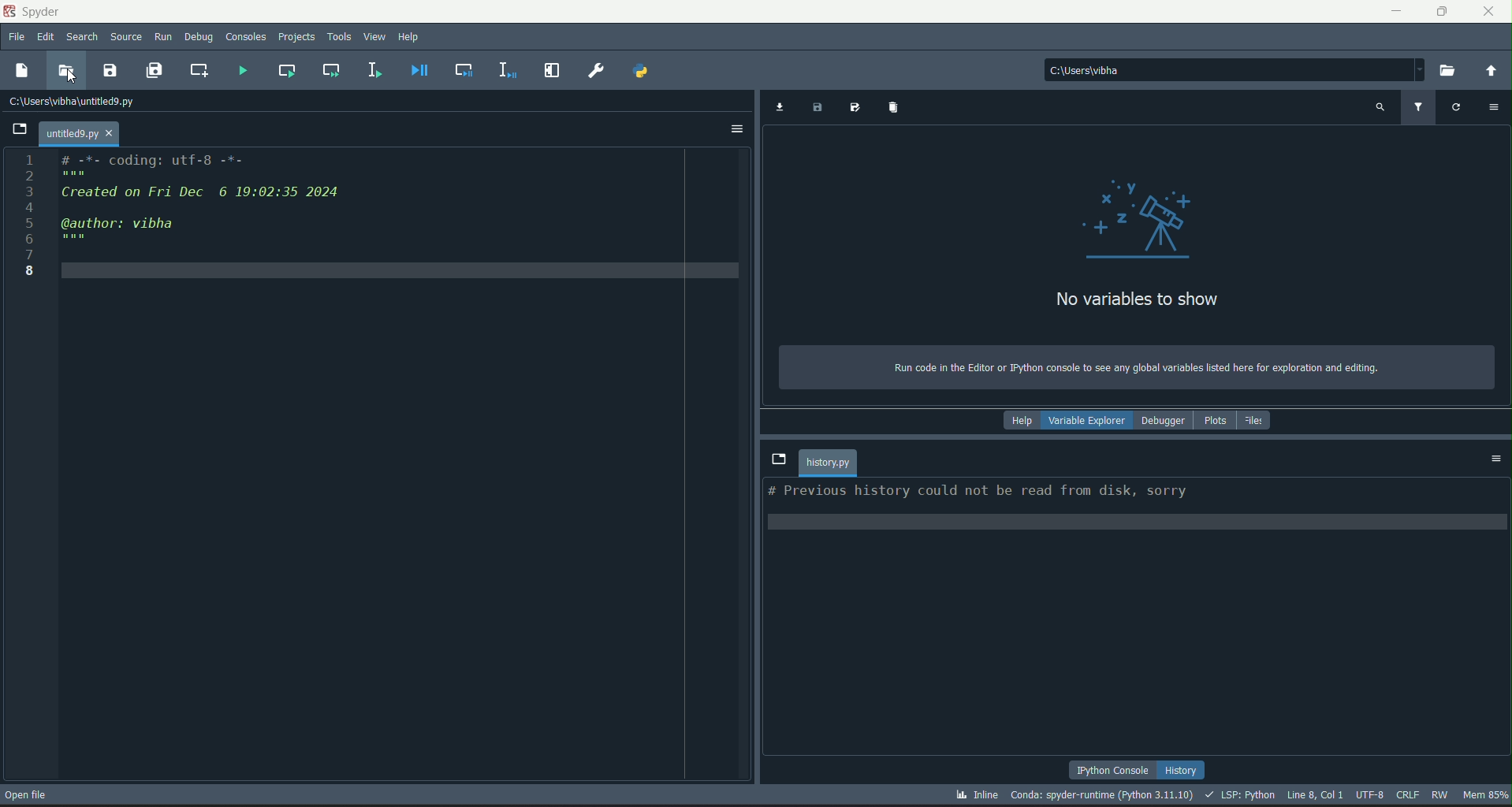 The image size is (1512, 807). Describe the element at coordinates (855, 107) in the screenshot. I see `save data as` at that location.